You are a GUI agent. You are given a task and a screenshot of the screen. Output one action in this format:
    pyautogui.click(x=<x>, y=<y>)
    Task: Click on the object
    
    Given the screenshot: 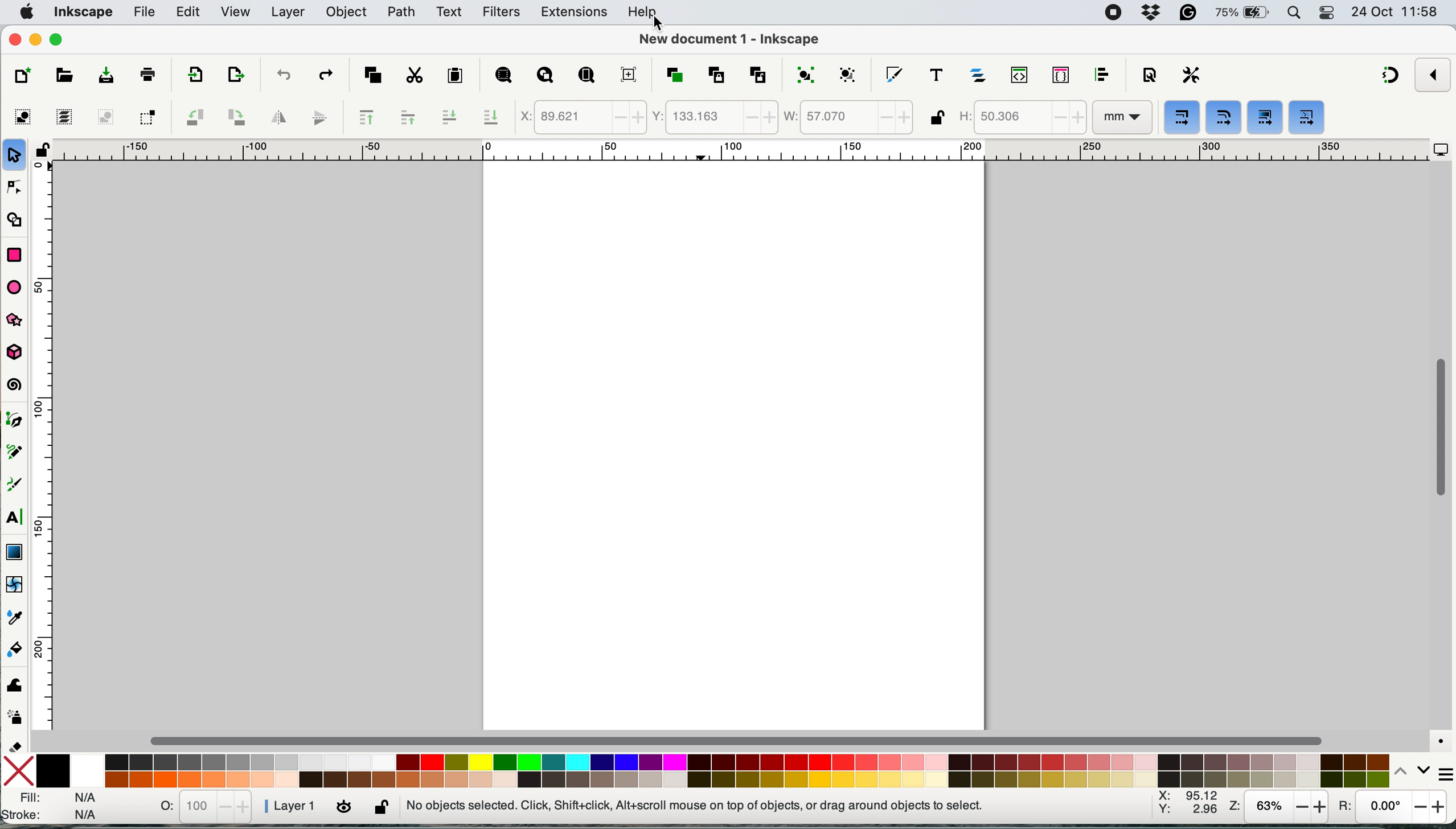 What is the action you would take?
    pyautogui.click(x=341, y=13)
    